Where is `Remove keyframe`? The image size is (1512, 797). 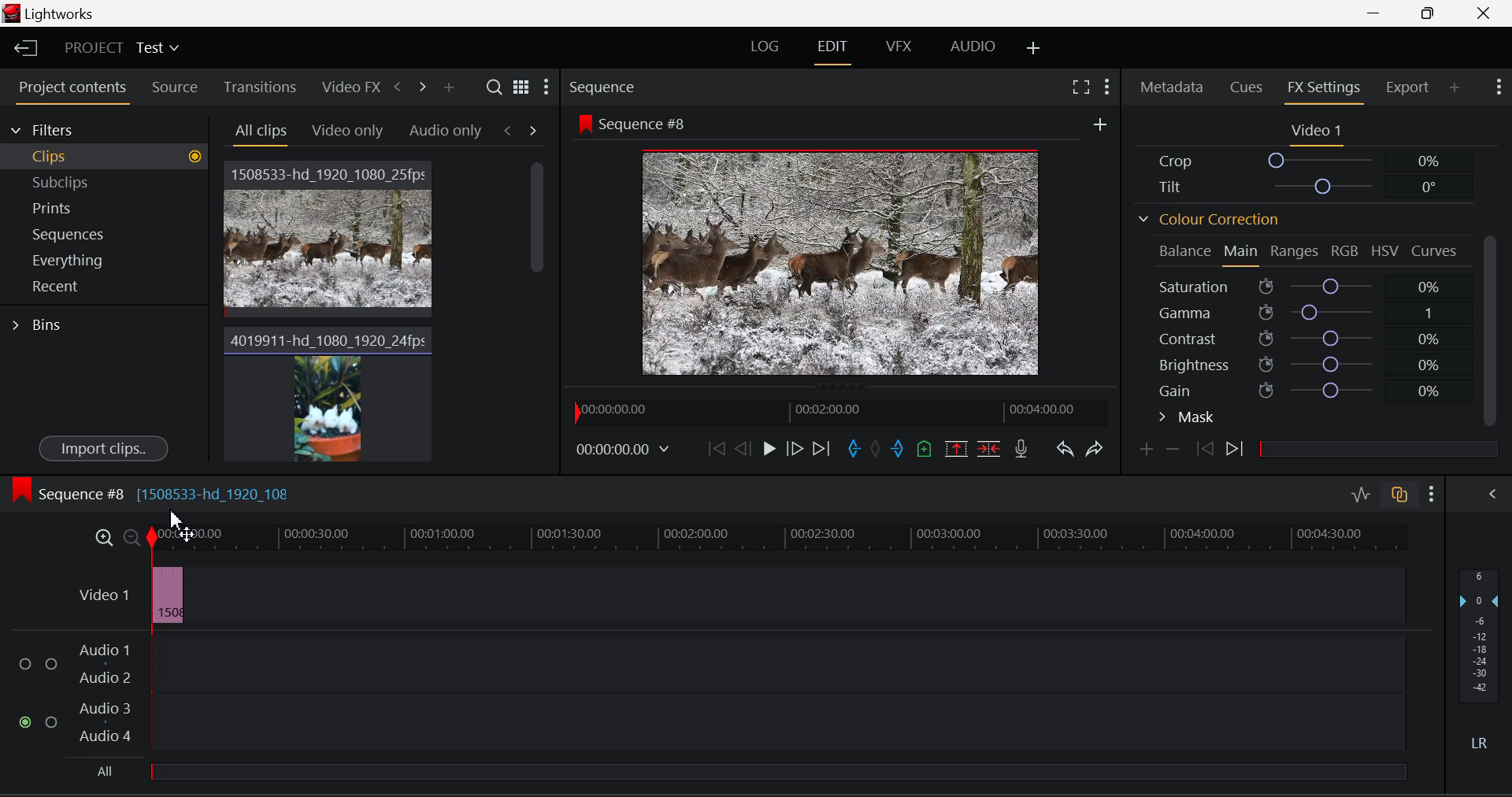 Remove keyframe is located at coordinates (1173, 451).